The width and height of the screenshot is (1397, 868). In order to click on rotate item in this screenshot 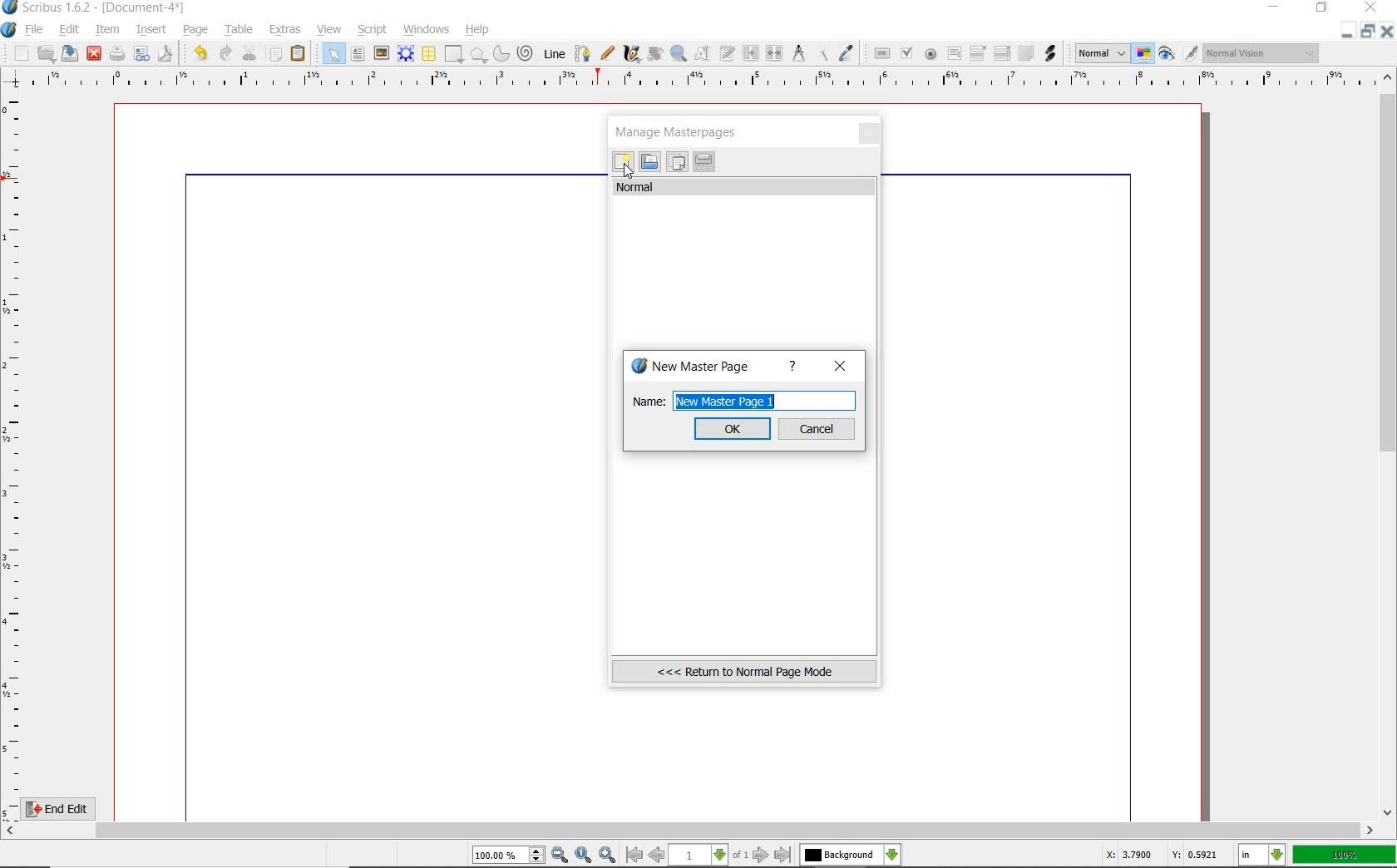, I will do `click(654, 55)`.